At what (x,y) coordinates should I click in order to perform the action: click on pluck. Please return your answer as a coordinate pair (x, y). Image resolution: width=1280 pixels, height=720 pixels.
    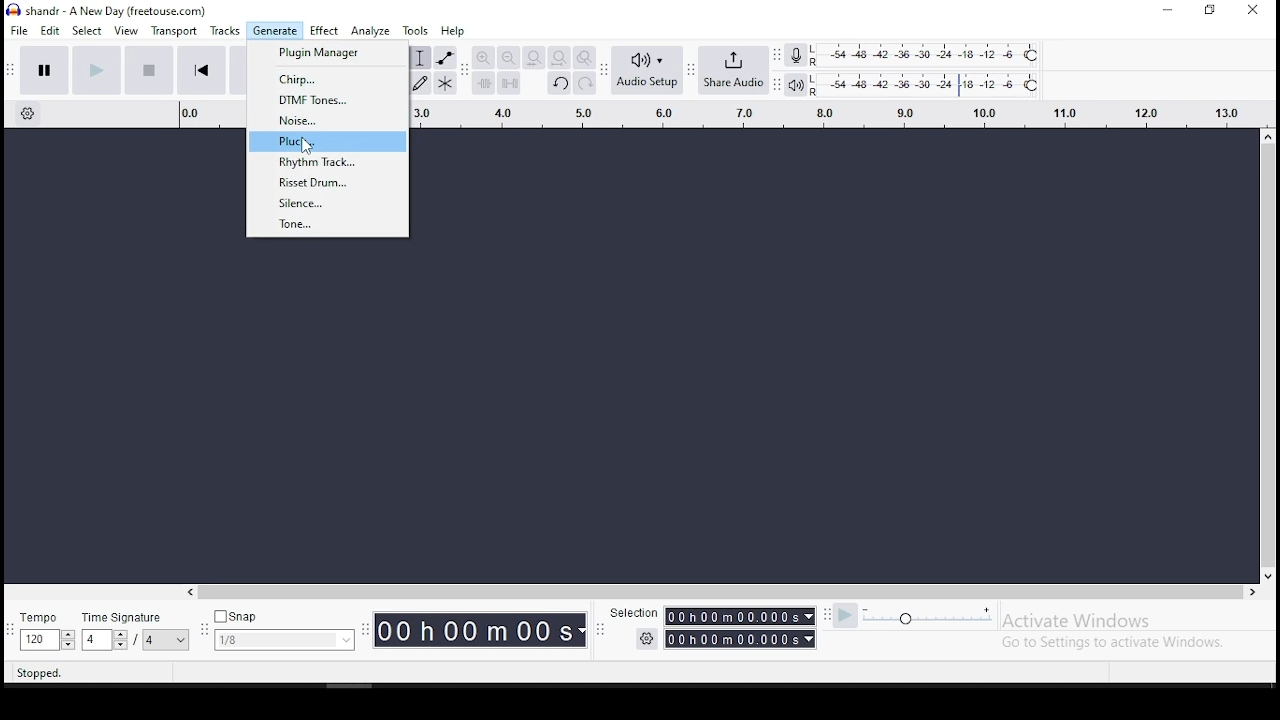
    Looking at the image, I should click on (329, 141).